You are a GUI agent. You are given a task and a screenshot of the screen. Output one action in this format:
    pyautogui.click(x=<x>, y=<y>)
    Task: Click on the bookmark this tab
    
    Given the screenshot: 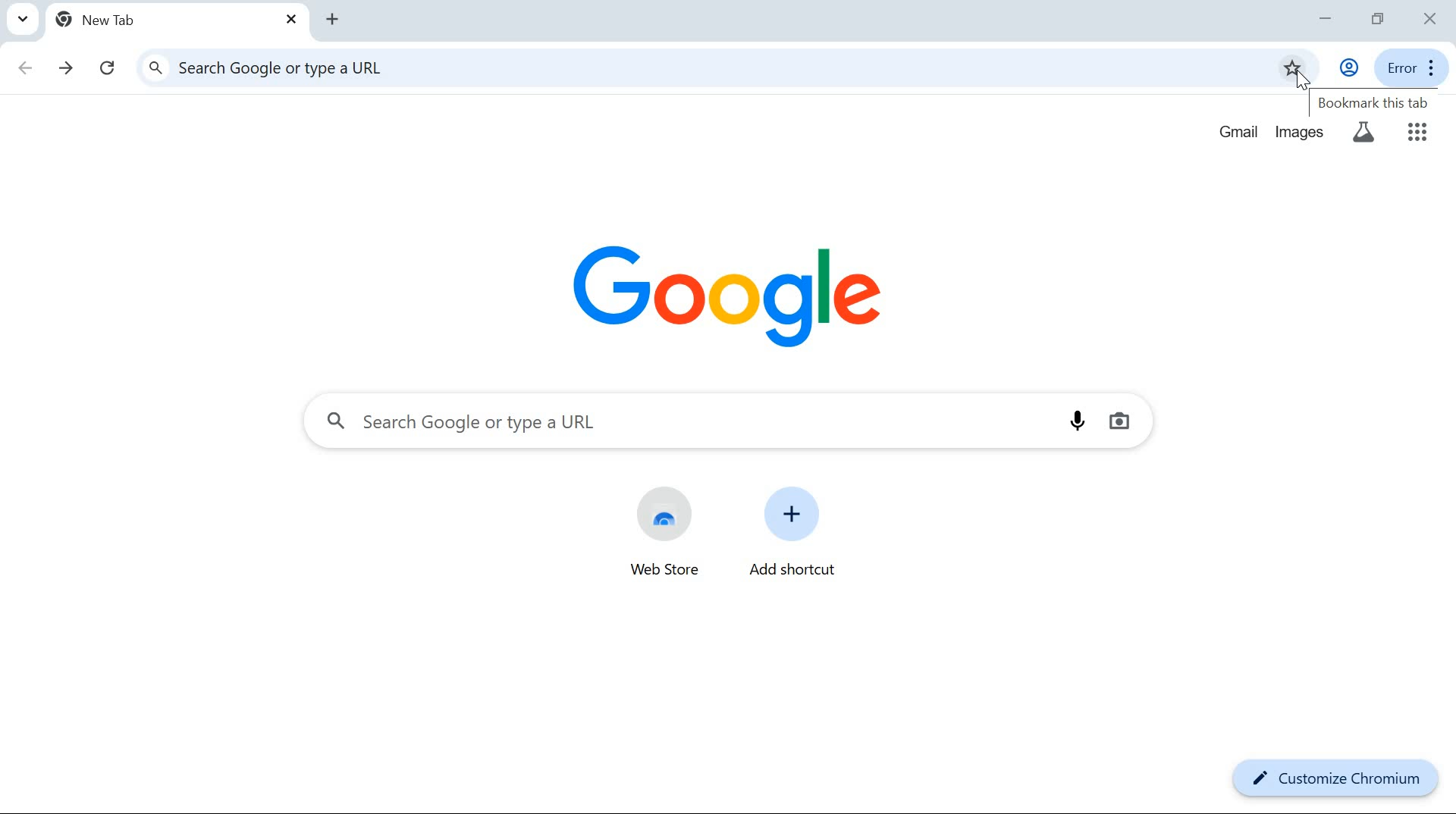 What is the action you would take?
    pyautogui.click(x=1373, y=103)
    